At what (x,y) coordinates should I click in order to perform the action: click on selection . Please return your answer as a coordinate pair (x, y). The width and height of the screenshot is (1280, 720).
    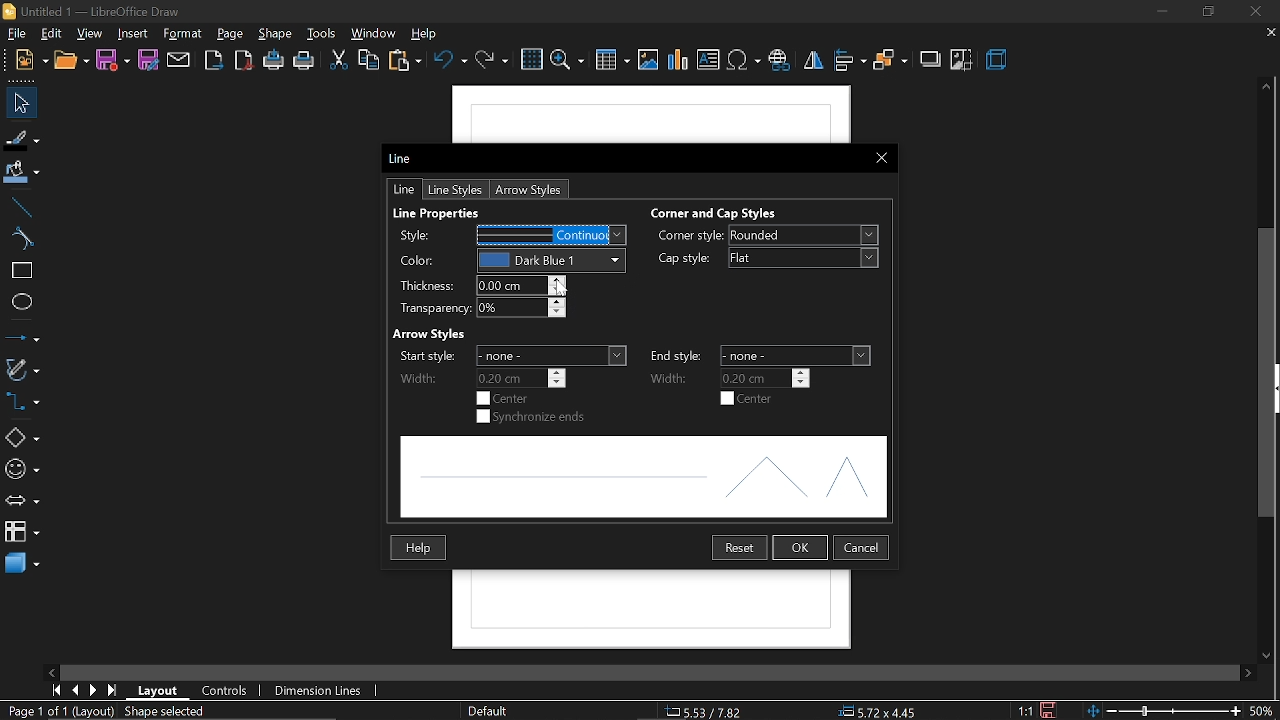
    Looking at the image, I should click on (172, 713).